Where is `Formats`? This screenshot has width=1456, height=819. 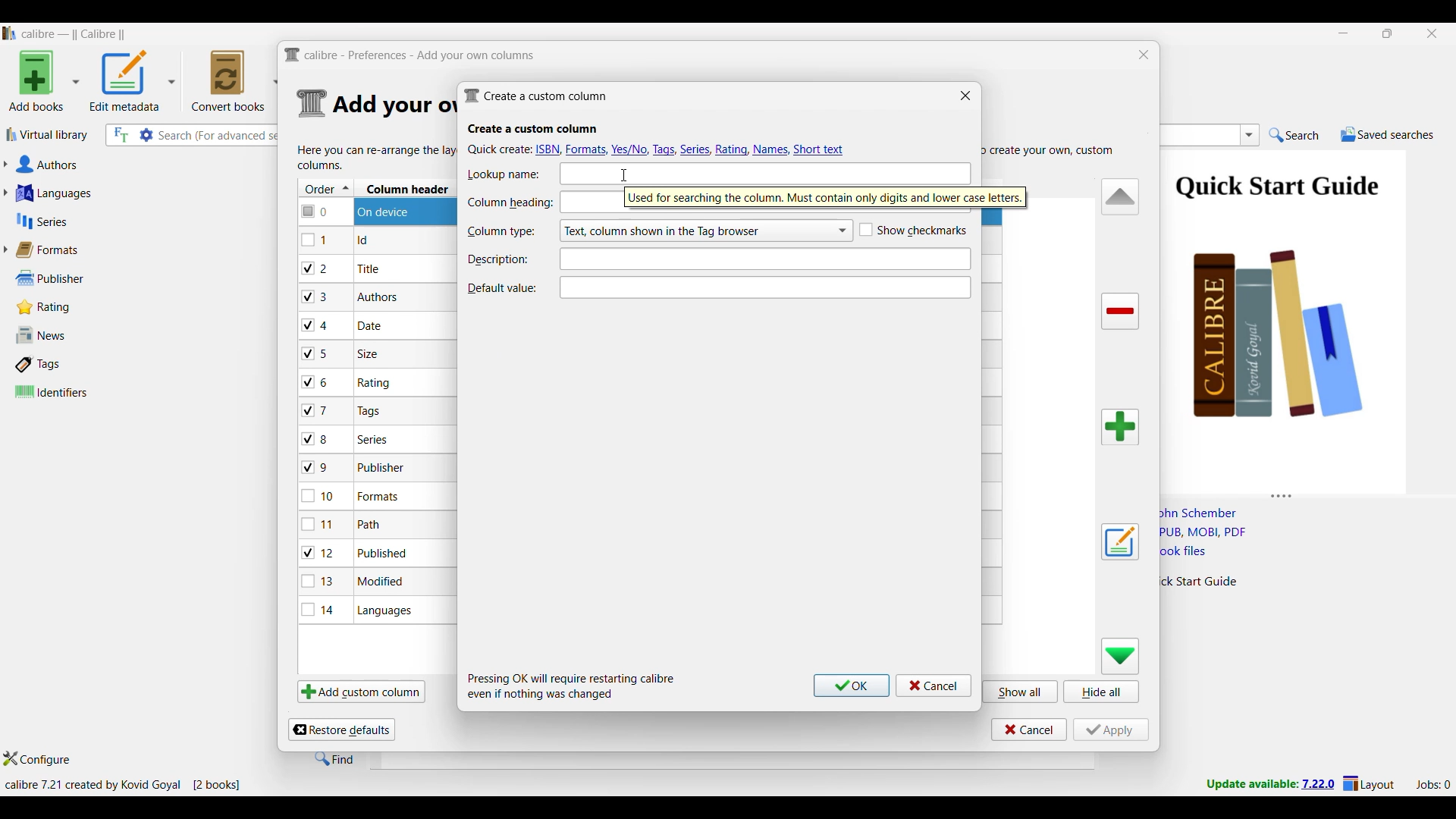
Formats is located at coordinates (54, 249).